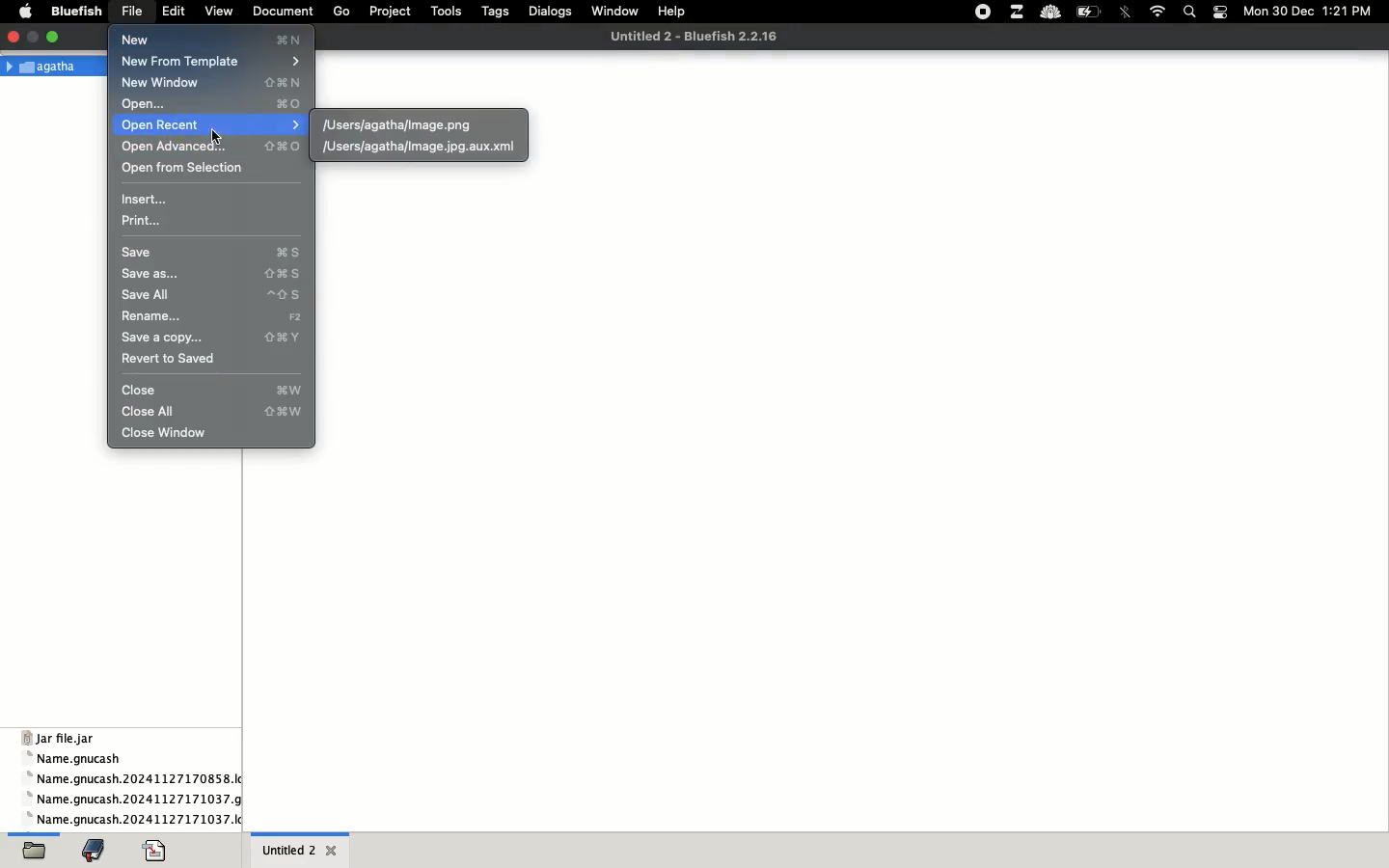 The image size is (1389, 868). I want to click on png, so click(395, 124).